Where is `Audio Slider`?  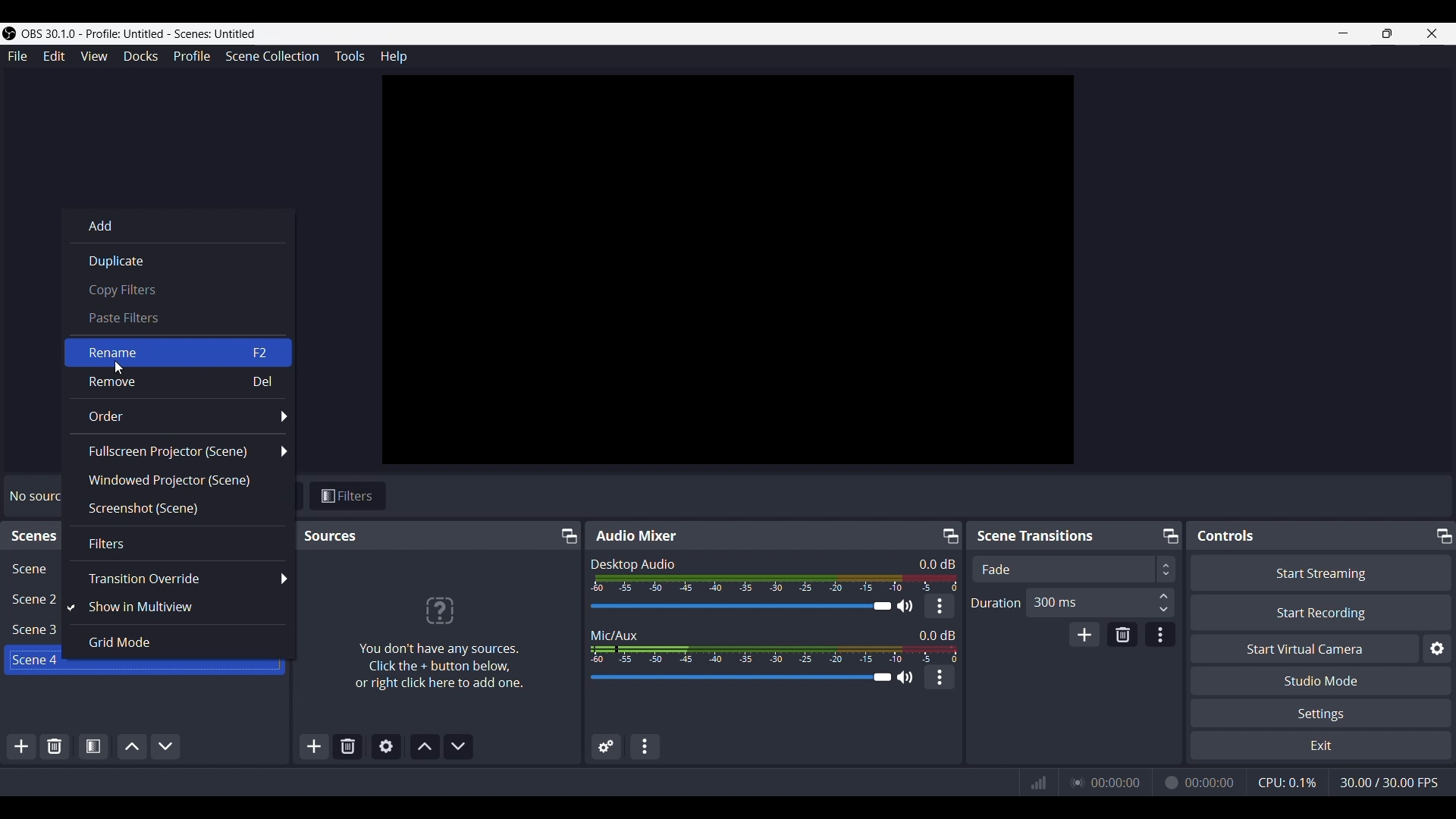
Audio Slider is located at coordinates (740, 606).